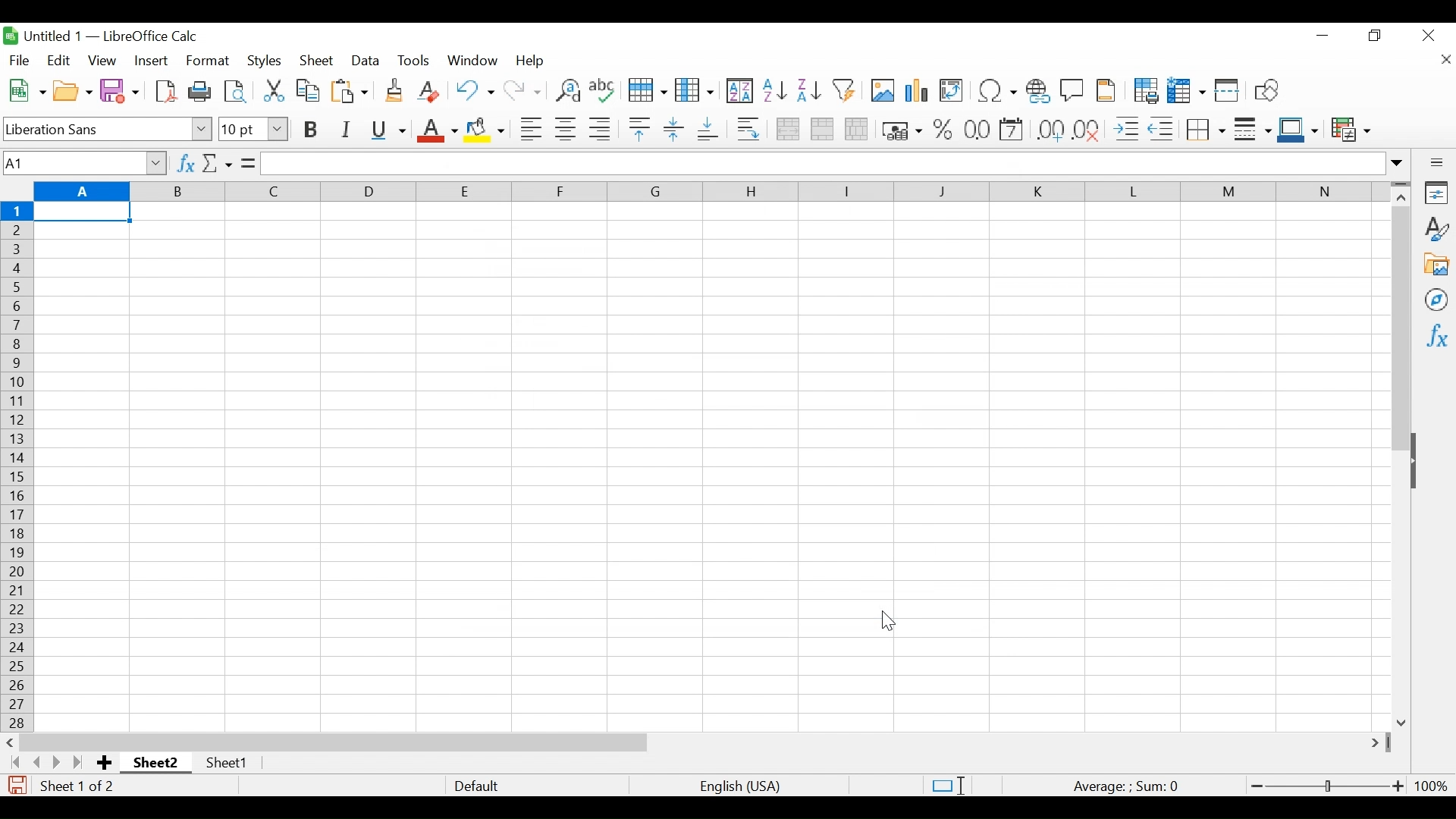  I want to click on Sidebar Settings, so click(1436, 162).